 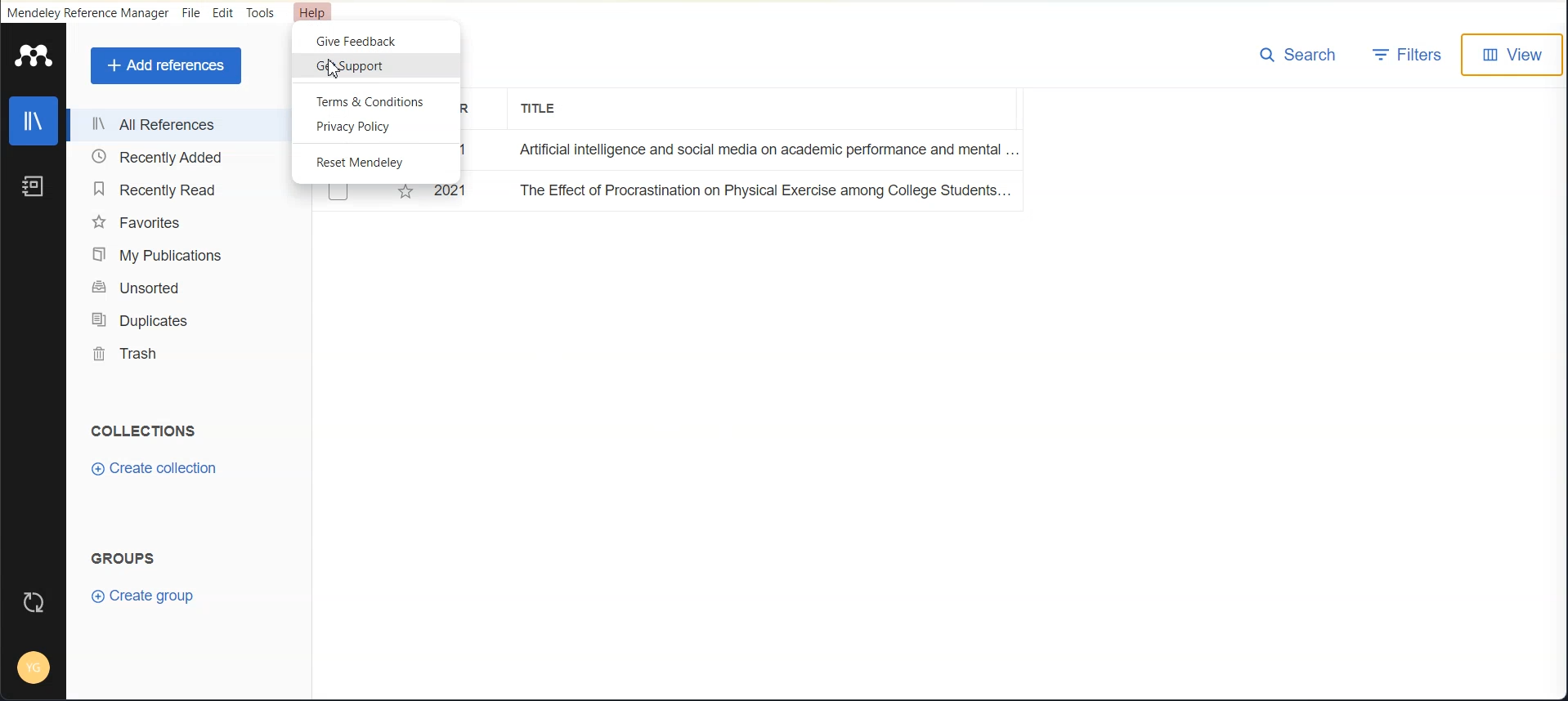 What do you see at coordinates (222, 13) in the screenshot?
I see `Edit` at bounding box center [222, 13].